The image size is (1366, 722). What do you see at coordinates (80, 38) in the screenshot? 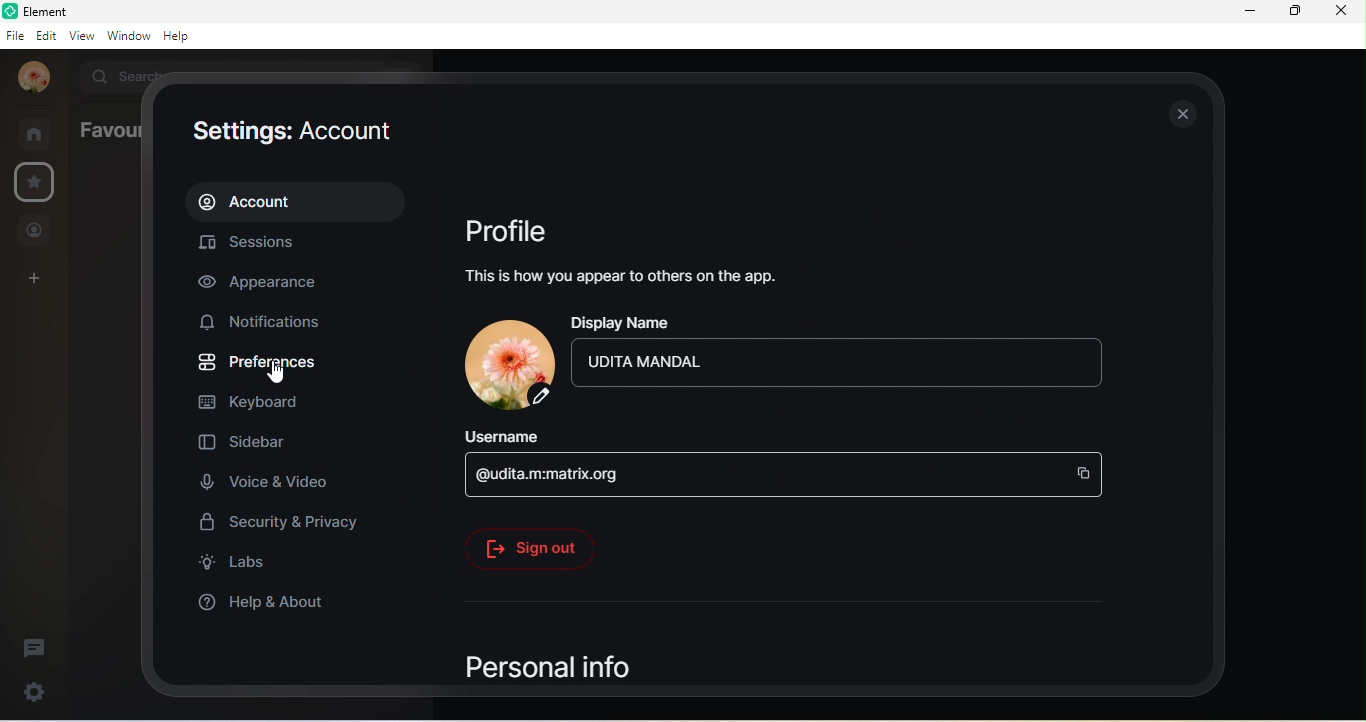
I see `view` at bounding box center [80, 38].